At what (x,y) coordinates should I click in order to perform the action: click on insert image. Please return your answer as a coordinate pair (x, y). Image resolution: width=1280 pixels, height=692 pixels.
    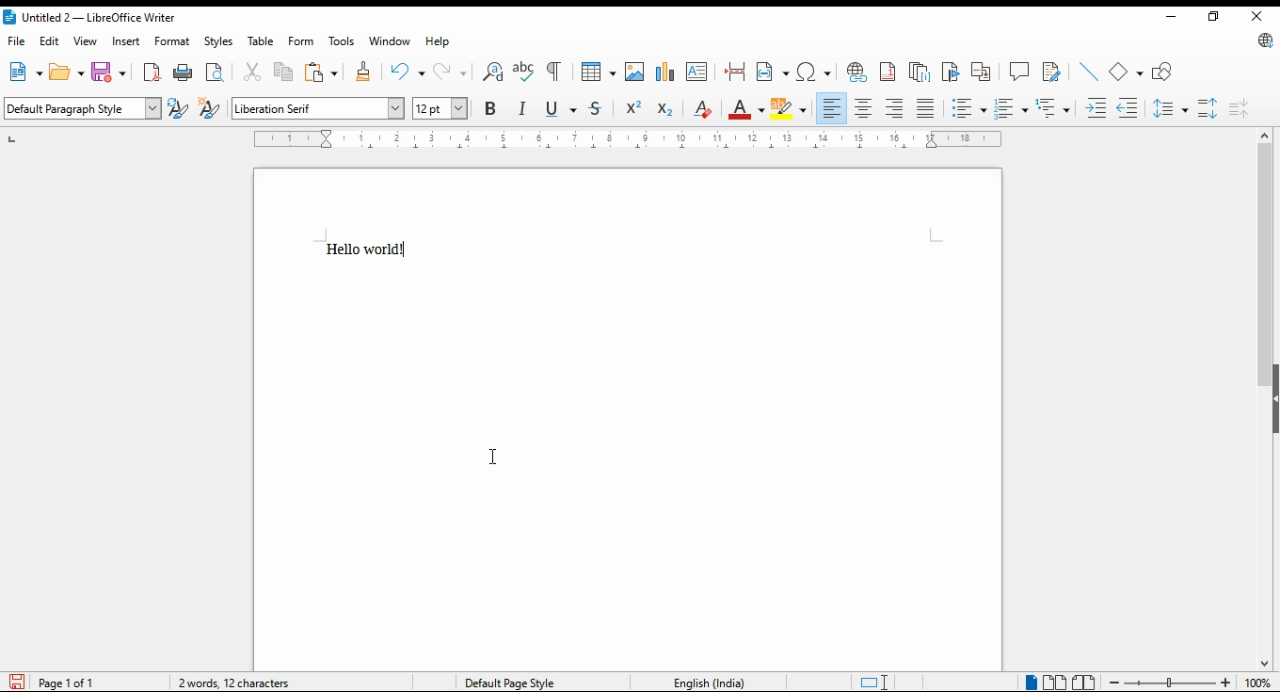
    Looking at the image, I should click on (633, 72).